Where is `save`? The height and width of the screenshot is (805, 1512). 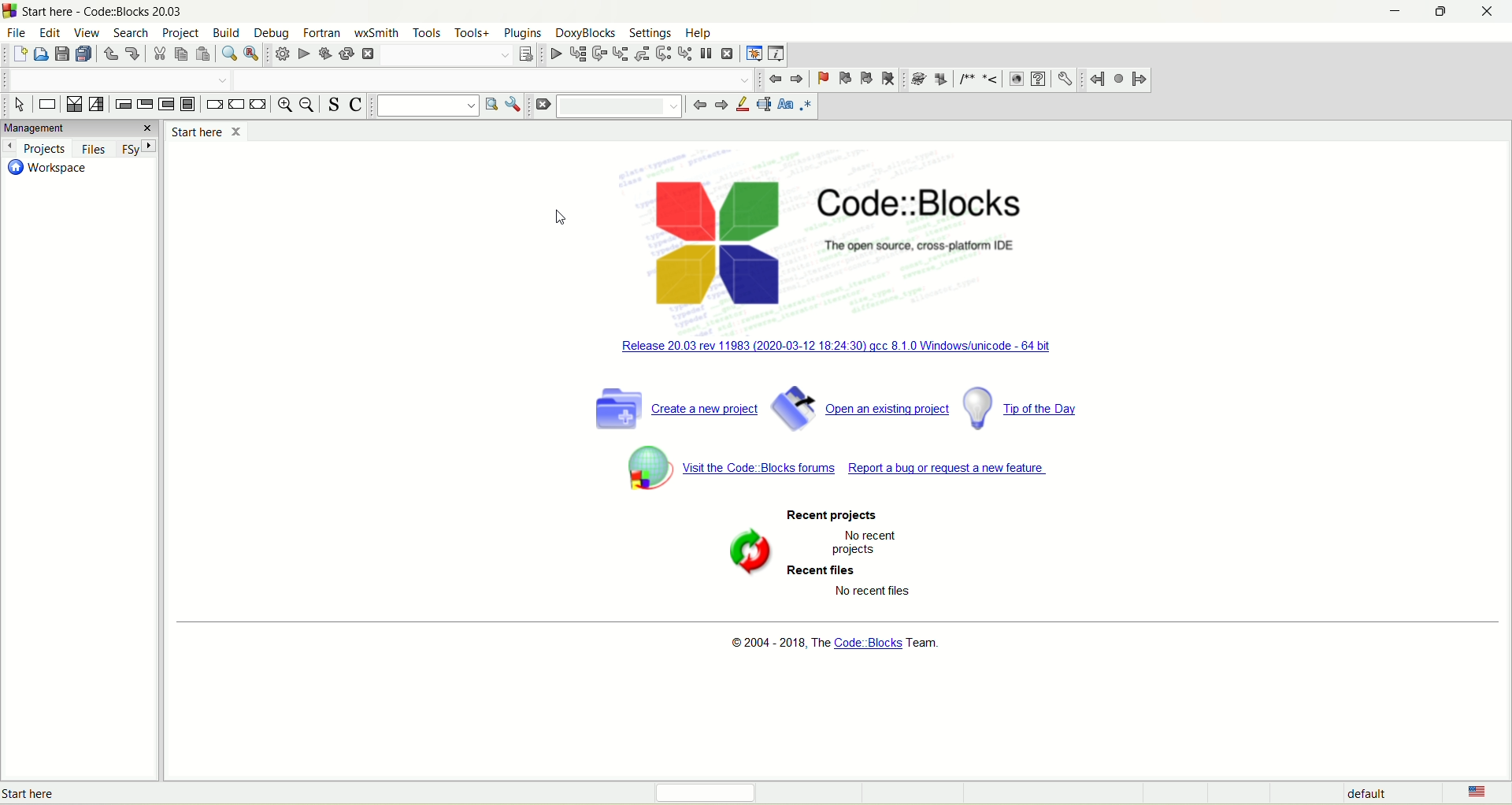
save is located at coordinates (63, 54).